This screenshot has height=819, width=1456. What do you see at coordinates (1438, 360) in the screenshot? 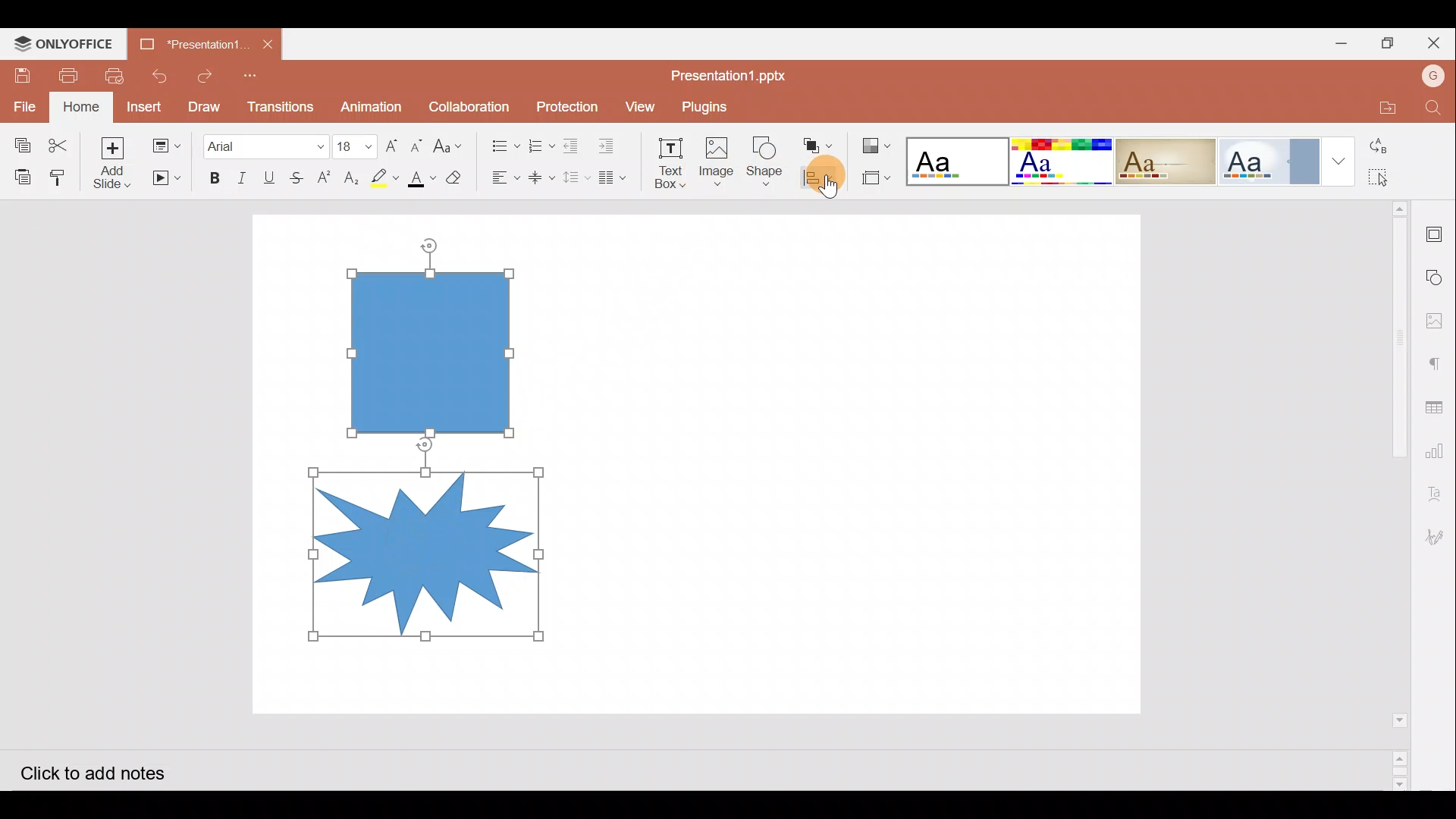
I see `Paragraph settings` at bounding box center [1438, 360].